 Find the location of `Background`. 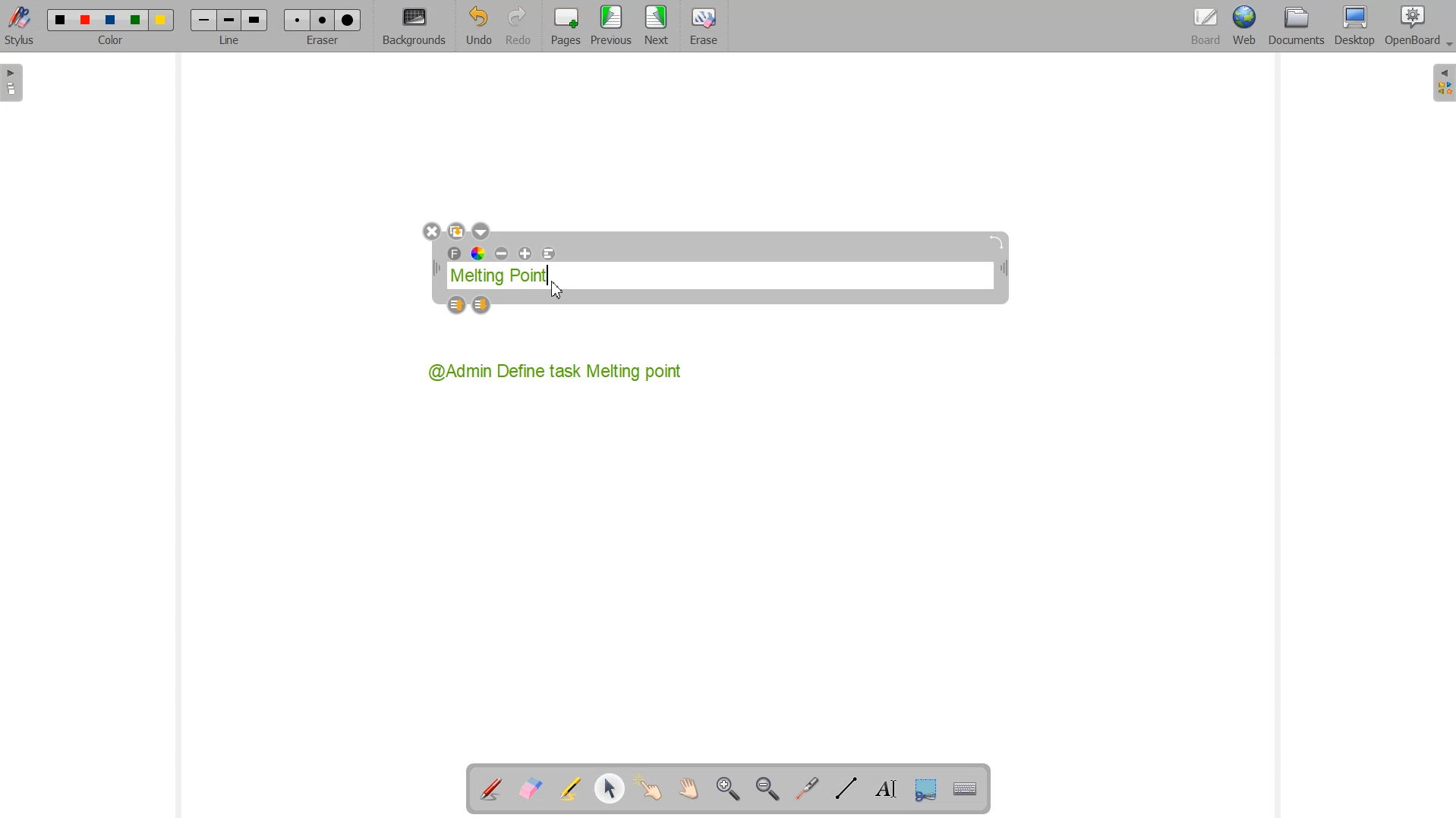

Background is located at coordinates (414, 27).